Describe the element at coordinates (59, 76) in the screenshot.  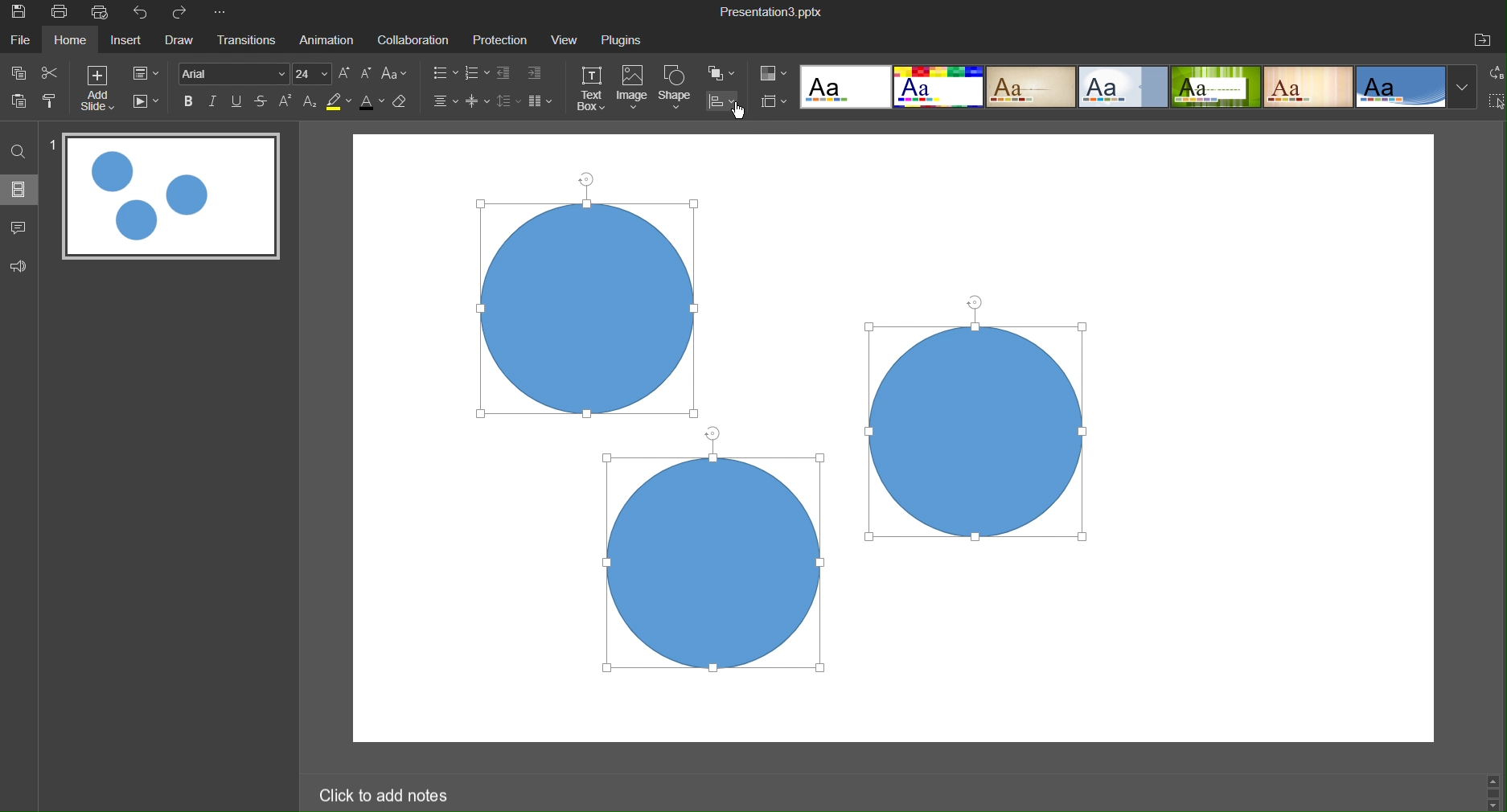
I see `Cut` at that location.